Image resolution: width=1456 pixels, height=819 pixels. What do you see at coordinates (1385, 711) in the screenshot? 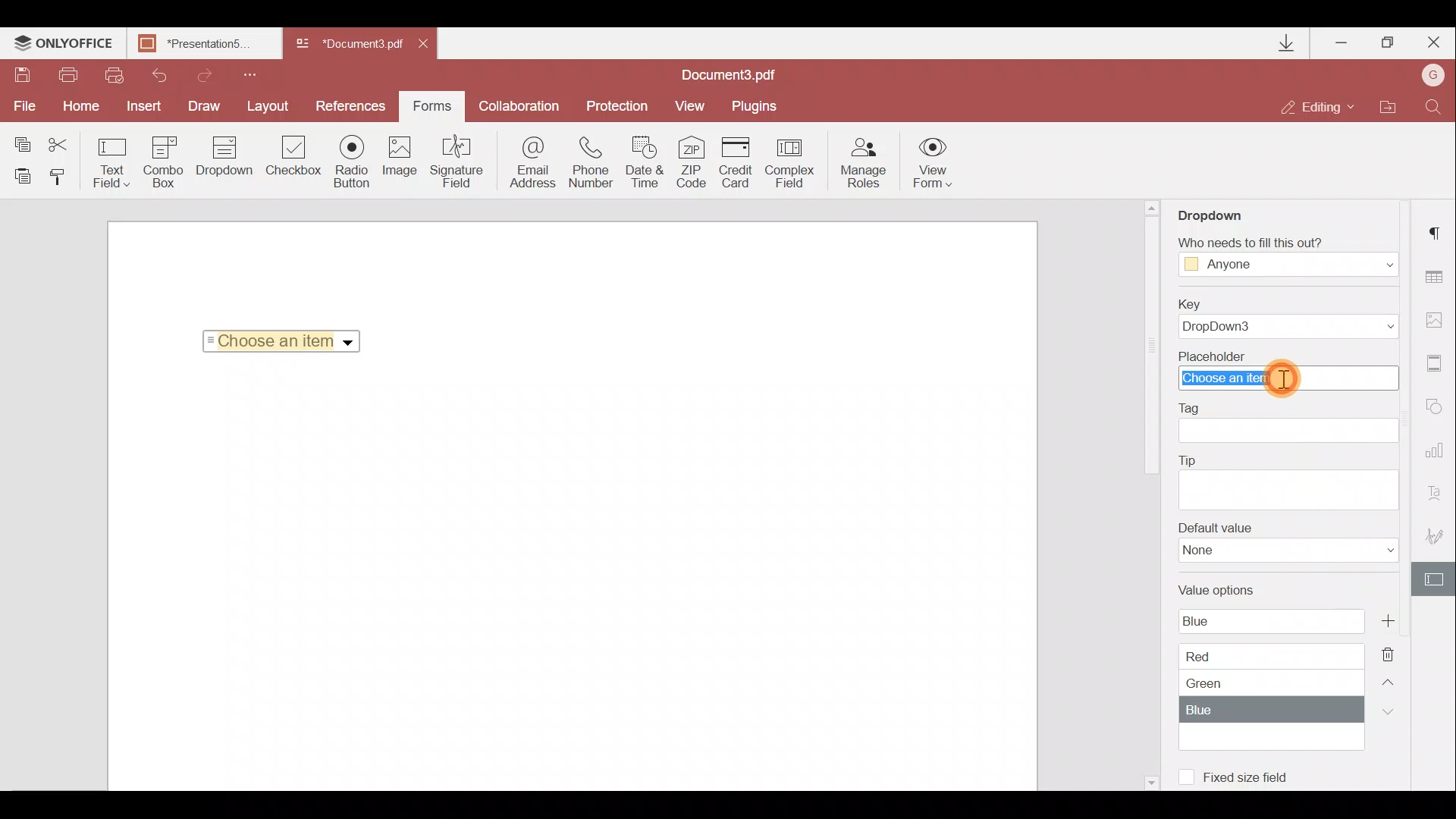
I see `Down` at bounding box center [1385, 711].